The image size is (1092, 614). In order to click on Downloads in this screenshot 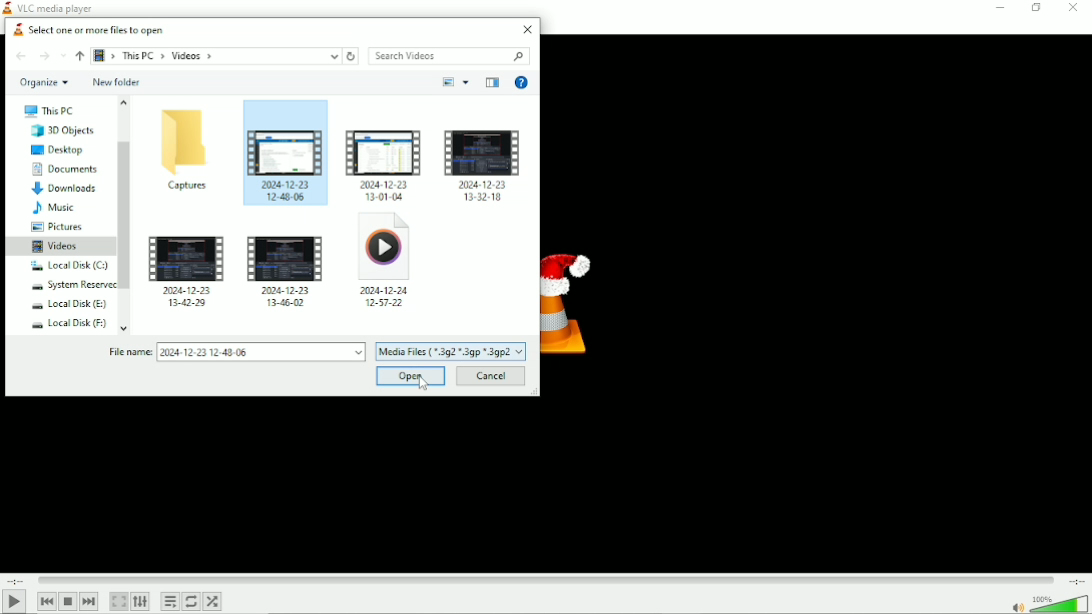, I will do `click(65, 189)`.